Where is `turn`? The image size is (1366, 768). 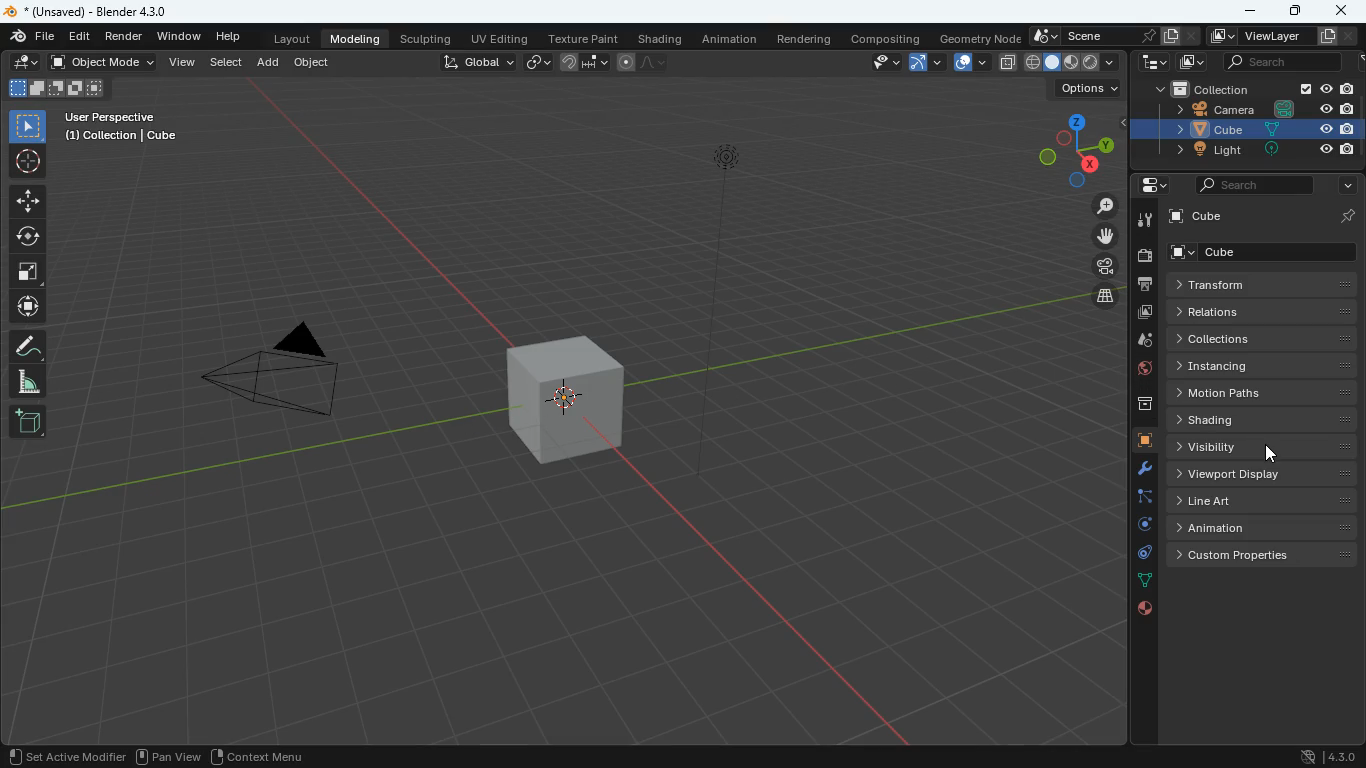
turn is located at coordinates (1137, 527).